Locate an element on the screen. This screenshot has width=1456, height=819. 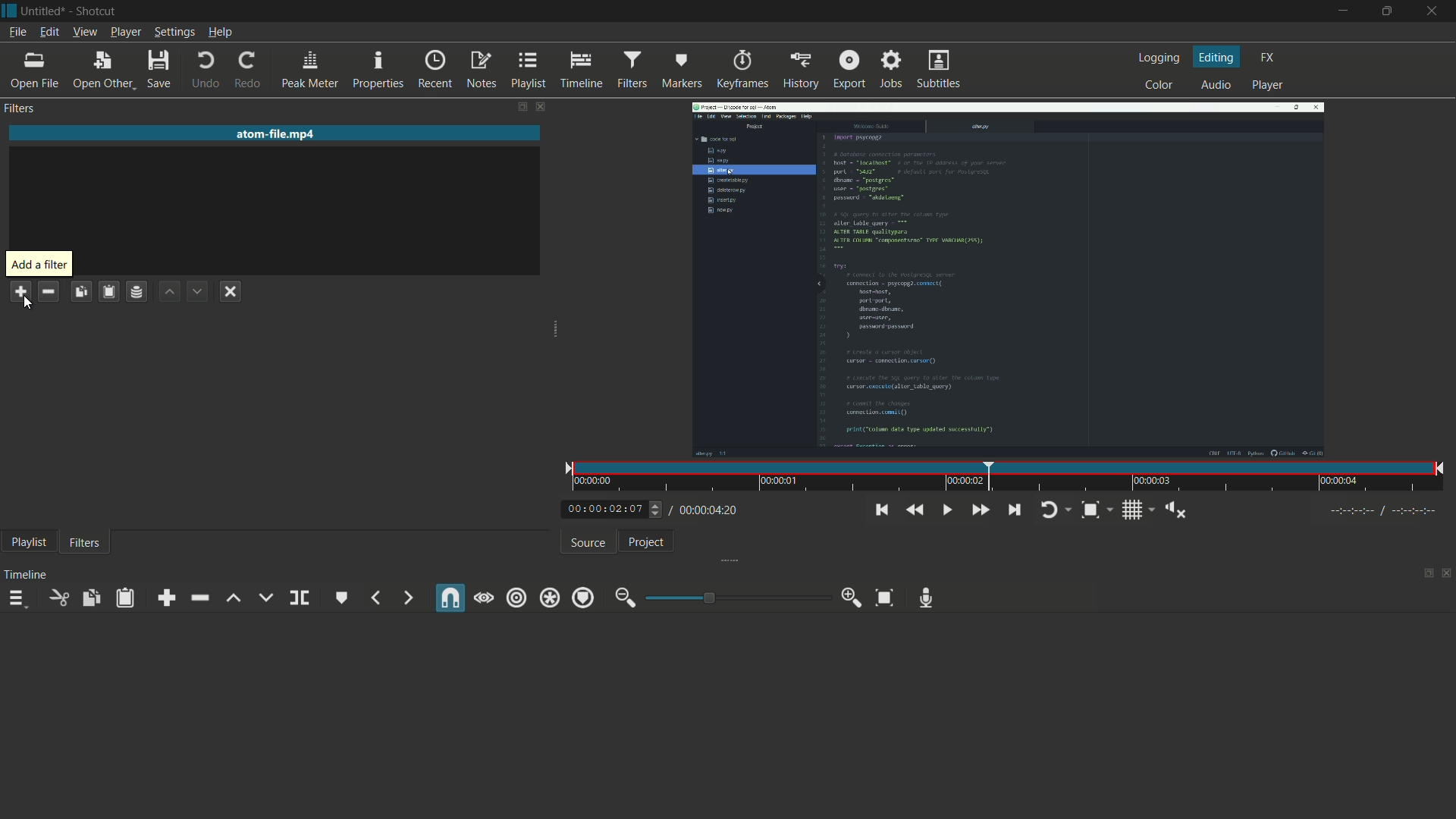
source is located at coordinates (590, 543).